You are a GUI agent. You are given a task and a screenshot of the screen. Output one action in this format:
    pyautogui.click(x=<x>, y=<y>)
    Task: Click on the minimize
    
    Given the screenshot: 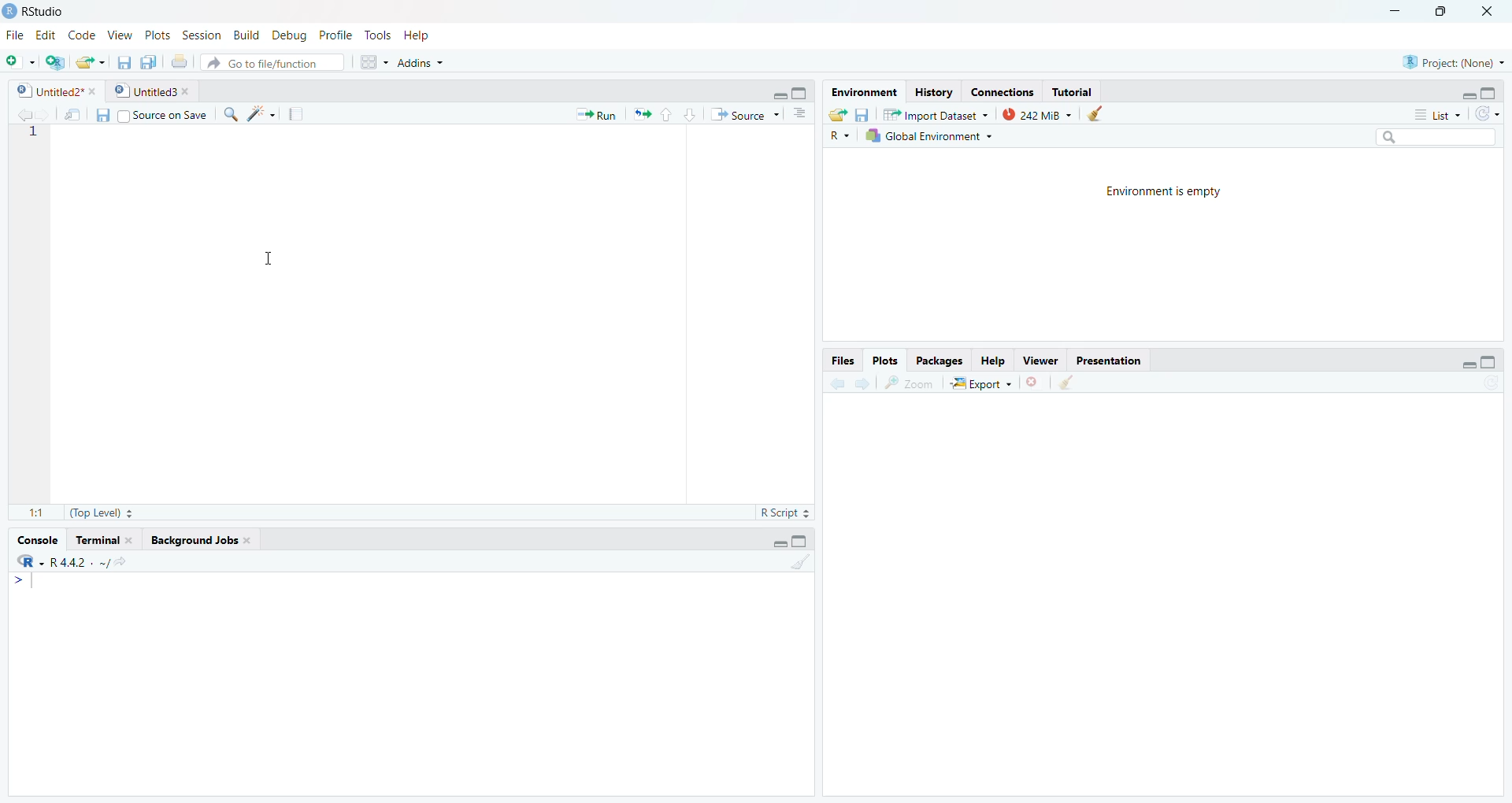 What is the action you would take?
    pyautogui.click(x=1468, y=94)
    